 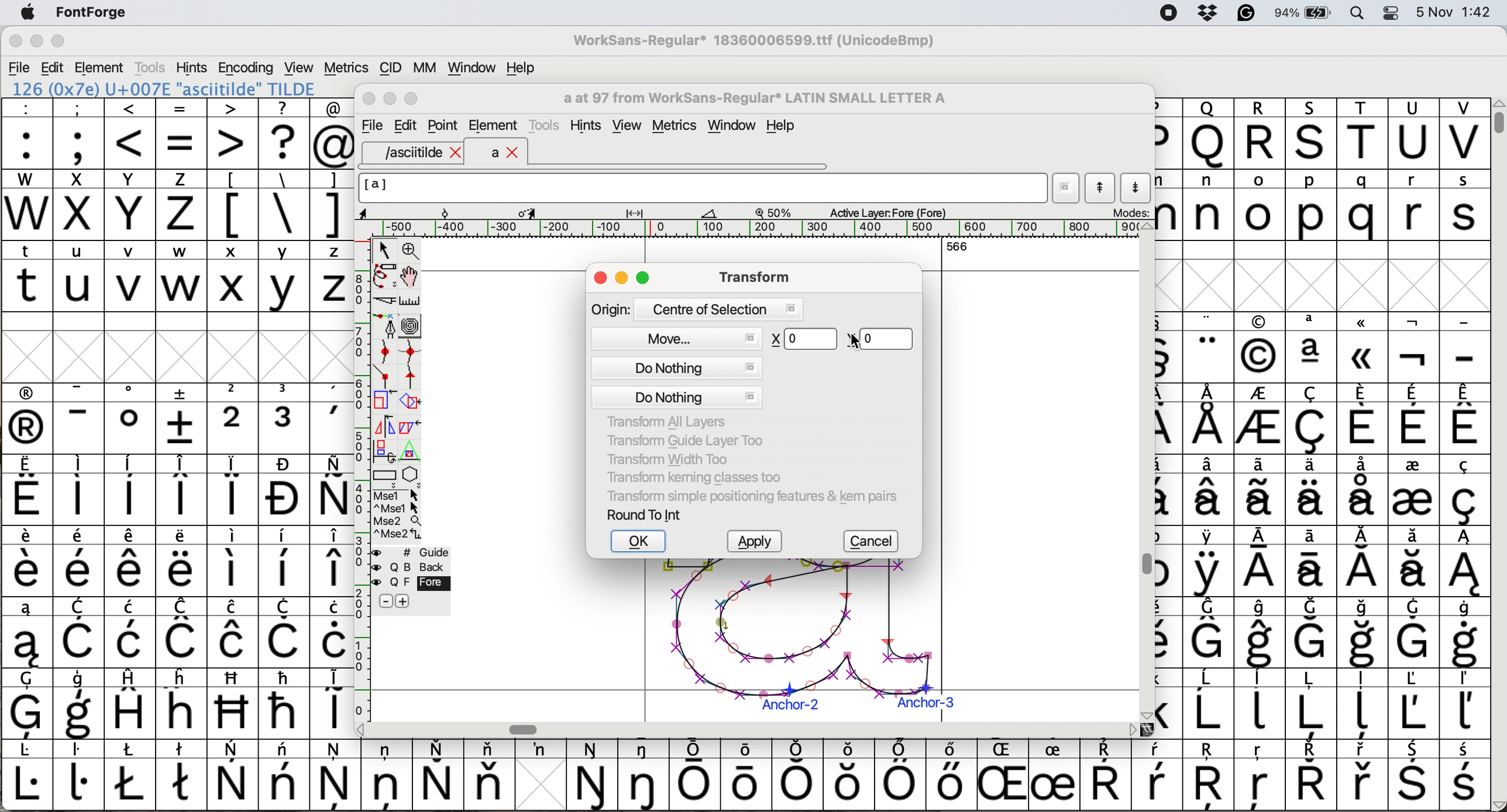 I want to click on symbol, so click(x=1312, y=347).